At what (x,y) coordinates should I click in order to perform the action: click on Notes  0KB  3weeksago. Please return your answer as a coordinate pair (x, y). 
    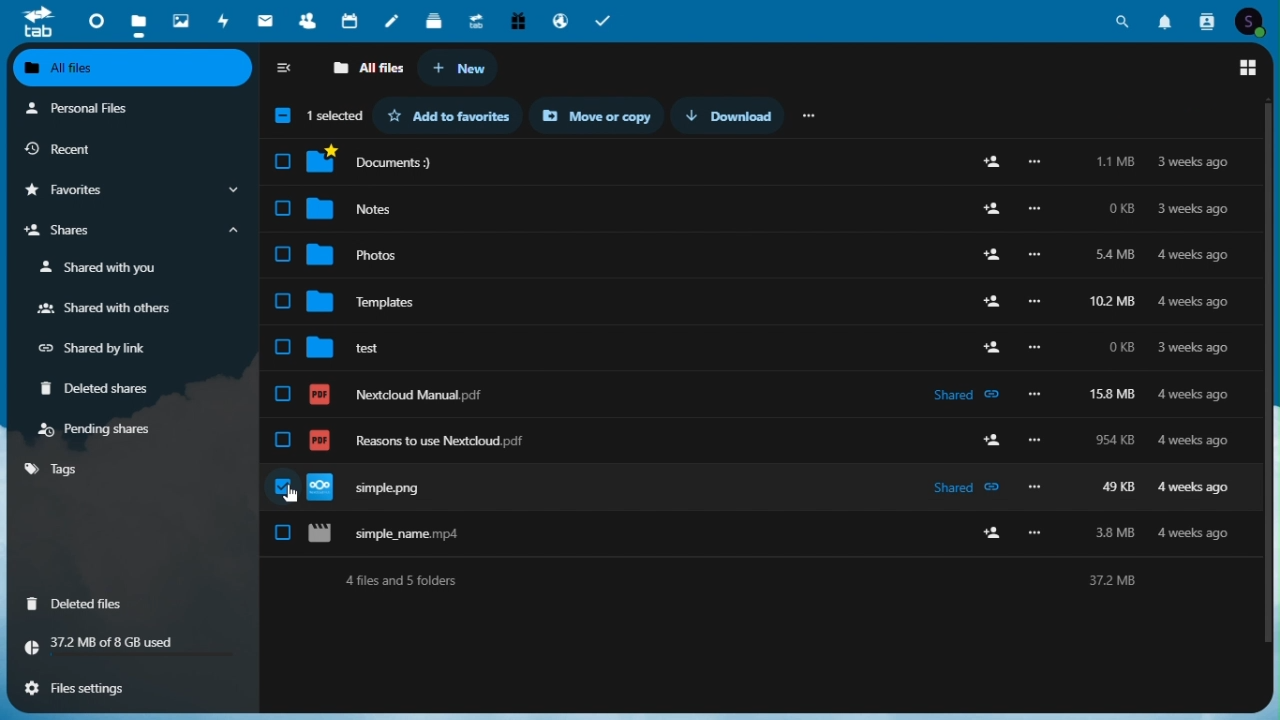
    Looking at the image, I should click on (761, 204).